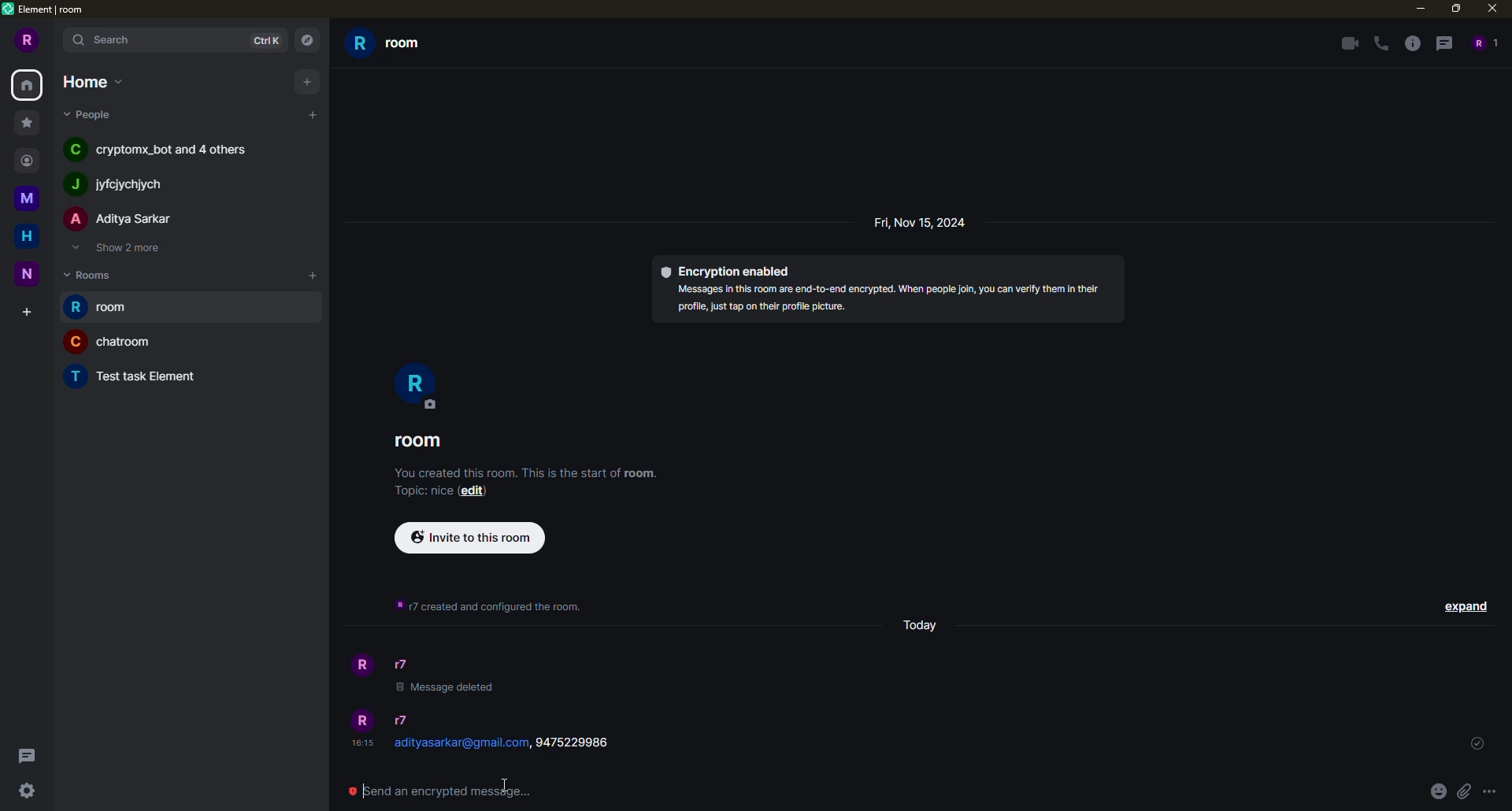 This screenshot has height=811, width=1512. What do you see at coordinates (496, 606) in the screenshot?
I see `info` at bounding box center [496, 606].